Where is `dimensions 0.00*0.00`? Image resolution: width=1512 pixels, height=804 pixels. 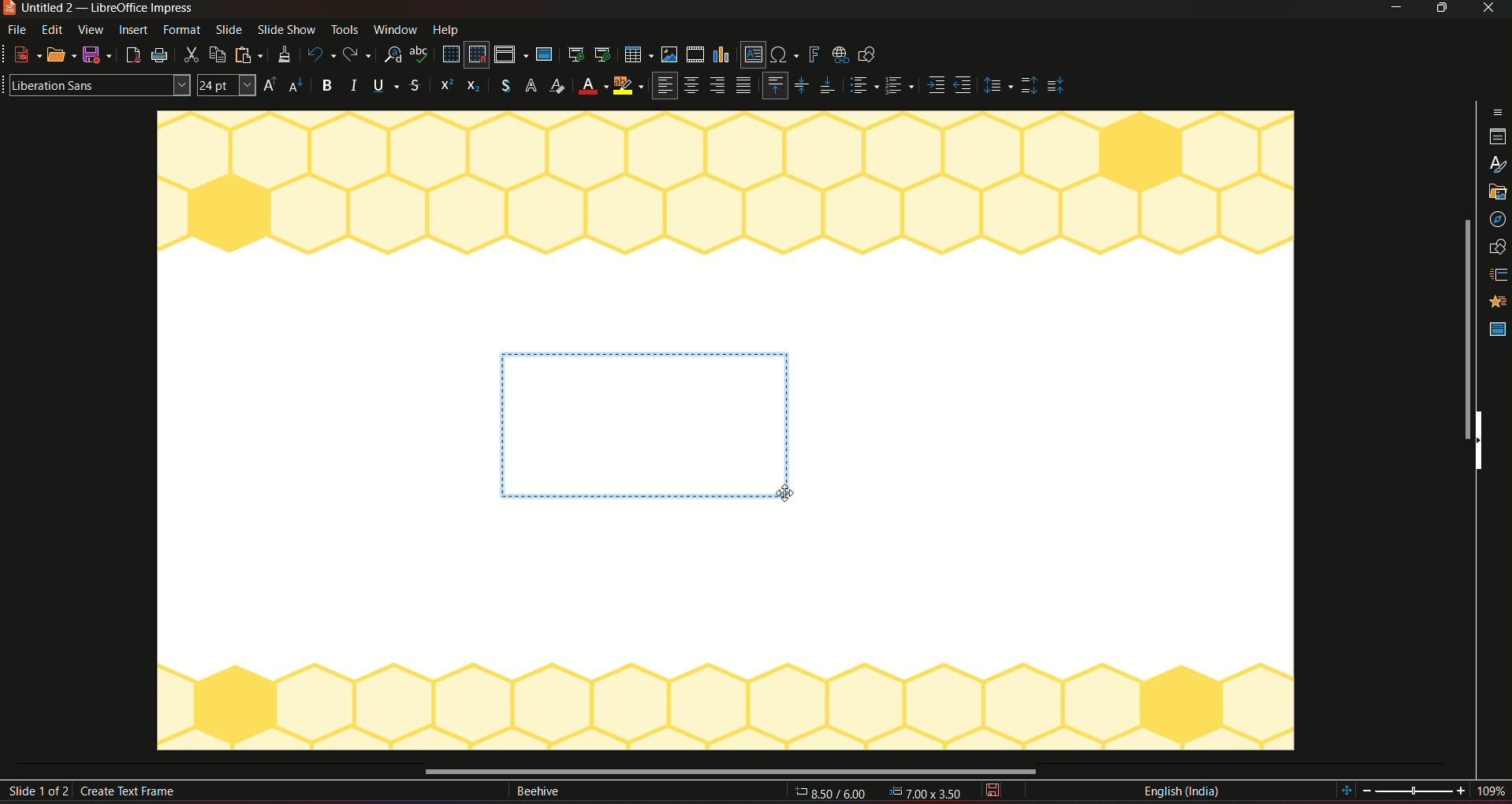 dimensions 0.00*0.00 is located at coordinates (928, 794).